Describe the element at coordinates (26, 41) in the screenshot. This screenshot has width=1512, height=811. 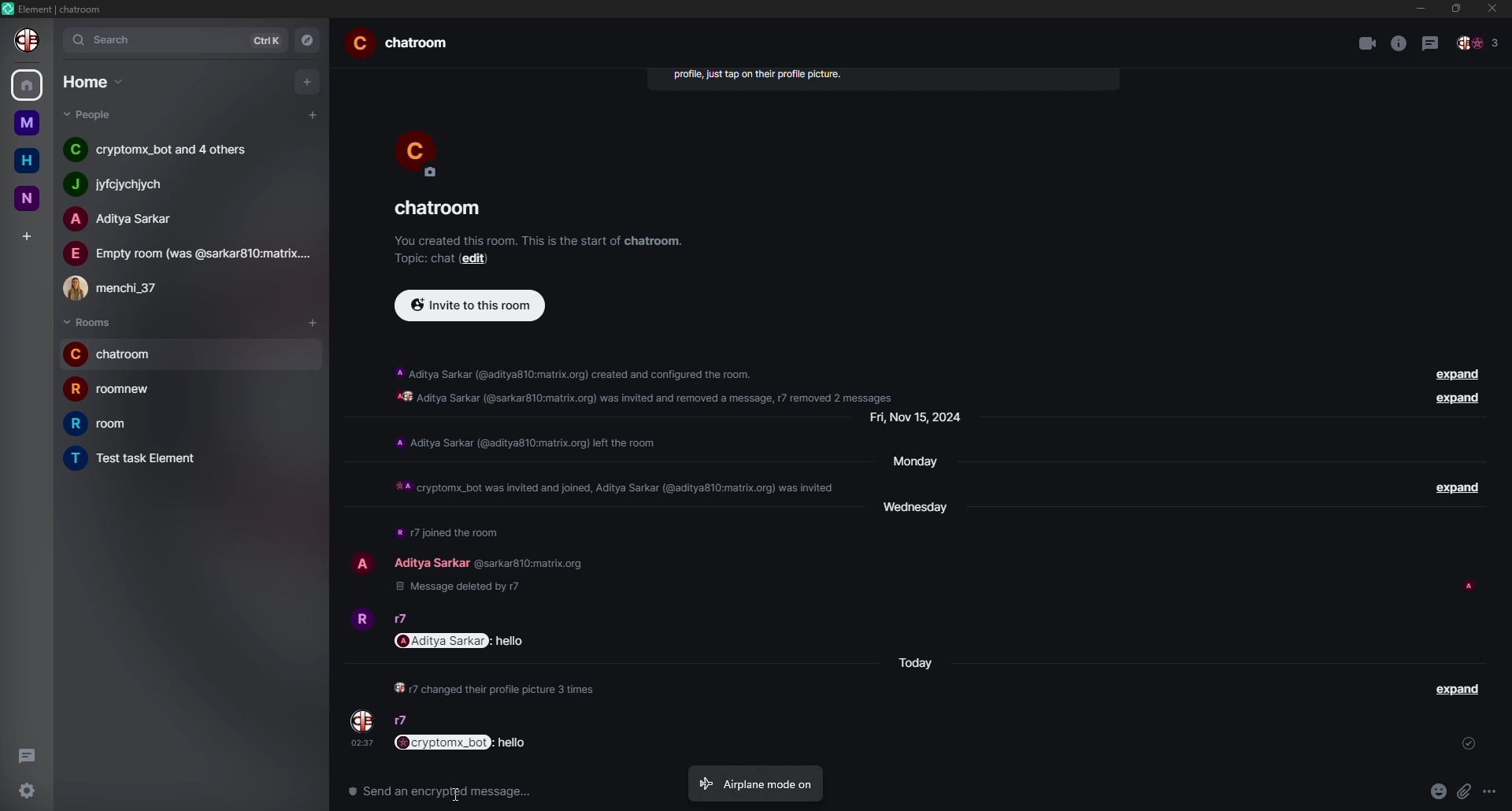
I see `profile` at that location.